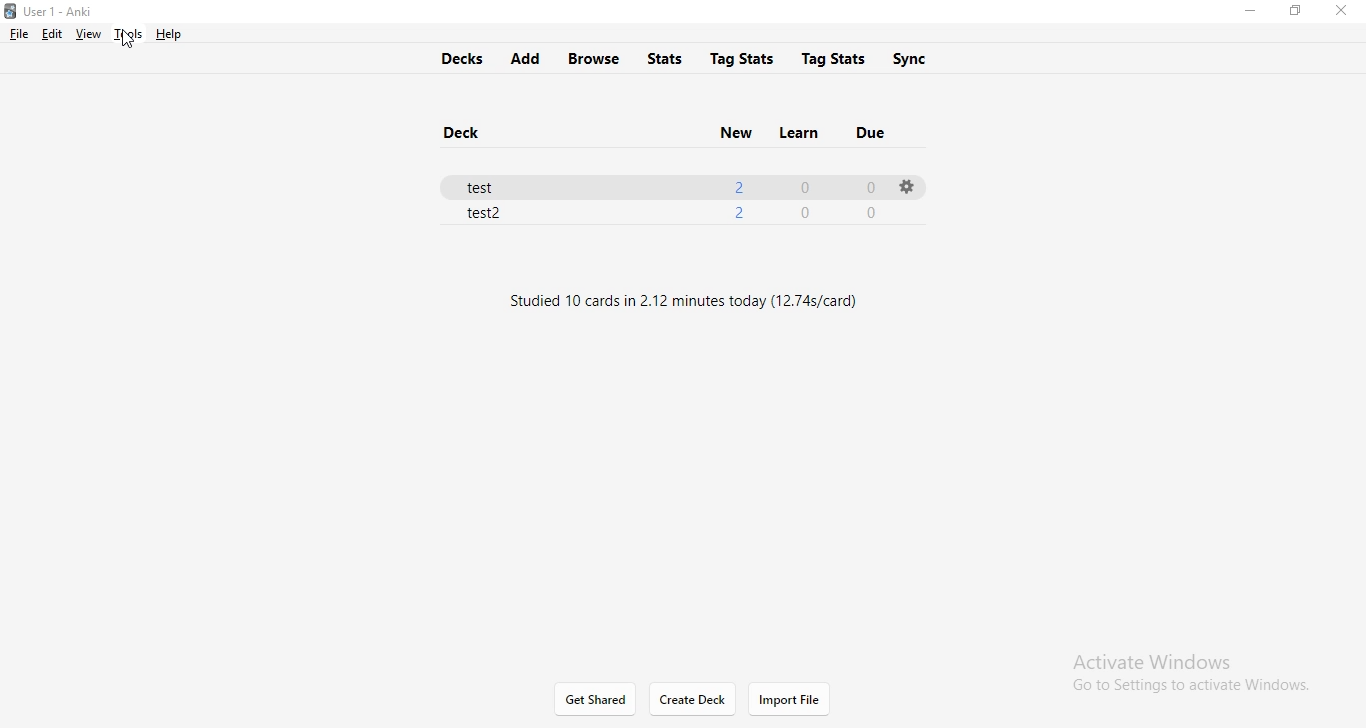 This screenshot has height=728, width=1366. I want to click on 0, so click(868, 212).